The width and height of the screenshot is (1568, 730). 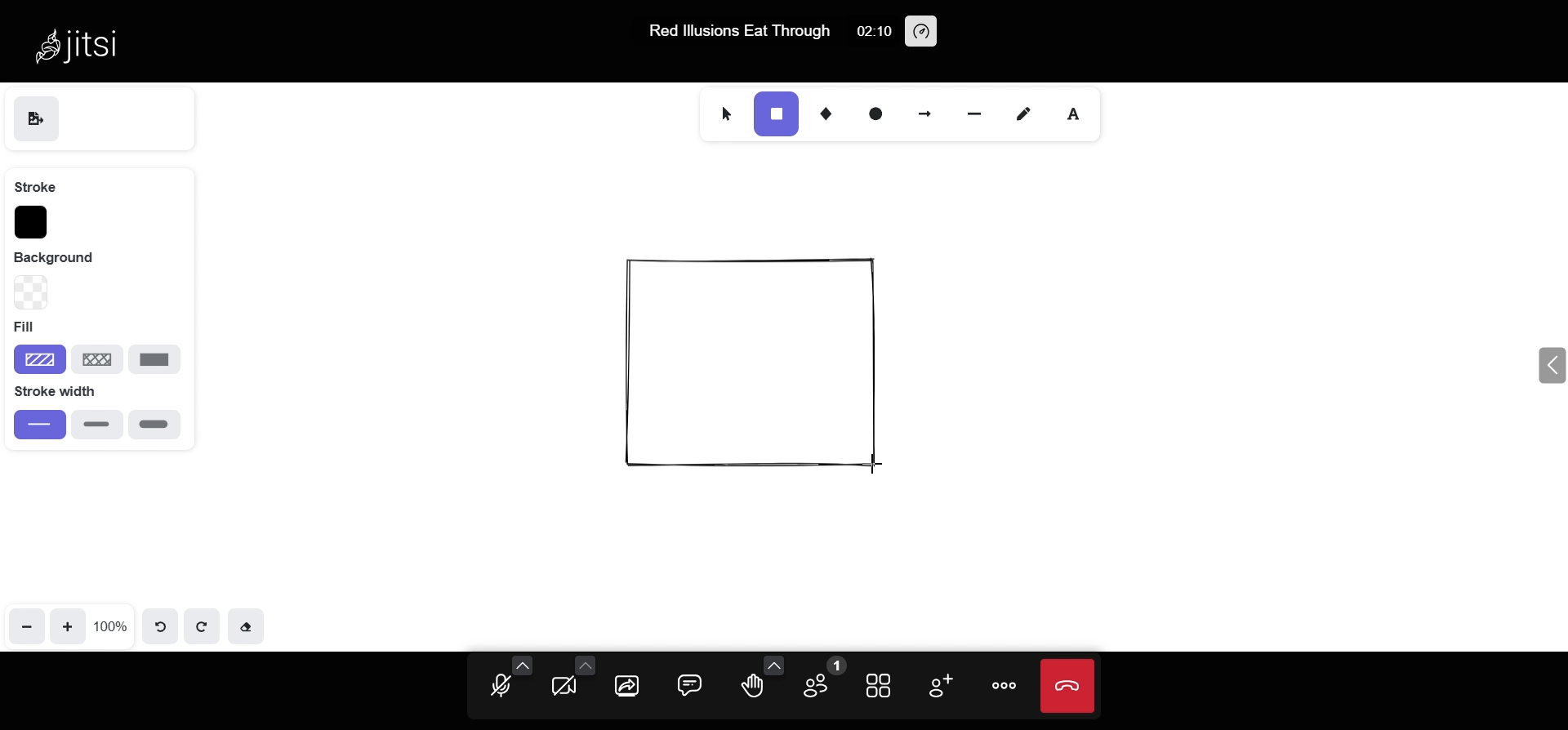 What do you see at coordinates (31, 222) in the screenshot?
I see `stroke color` at bounding box center [31, 222].